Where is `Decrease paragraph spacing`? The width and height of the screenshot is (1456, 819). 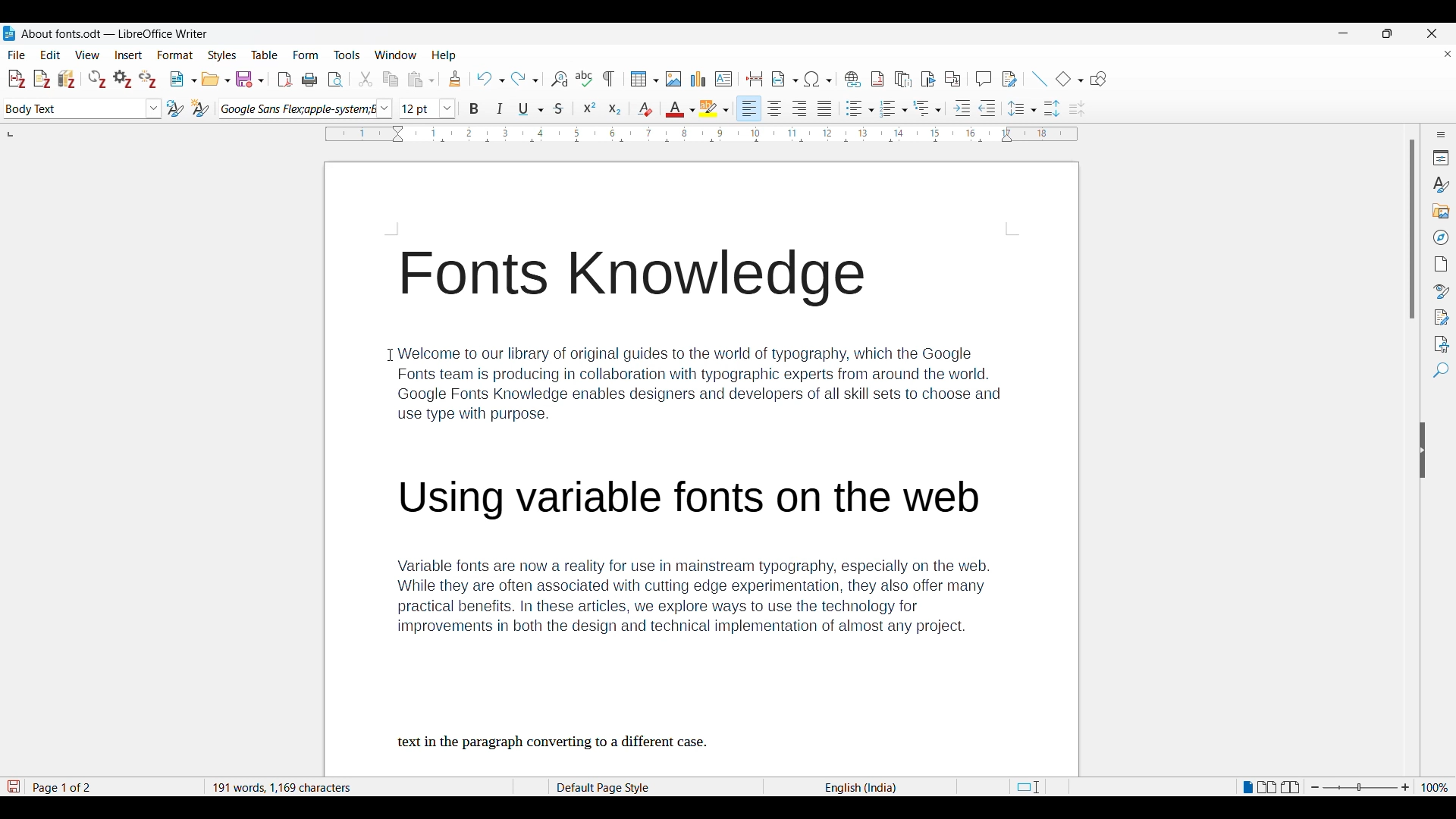
Decrease paragraph spacing is located at coordinates (1078, 109).